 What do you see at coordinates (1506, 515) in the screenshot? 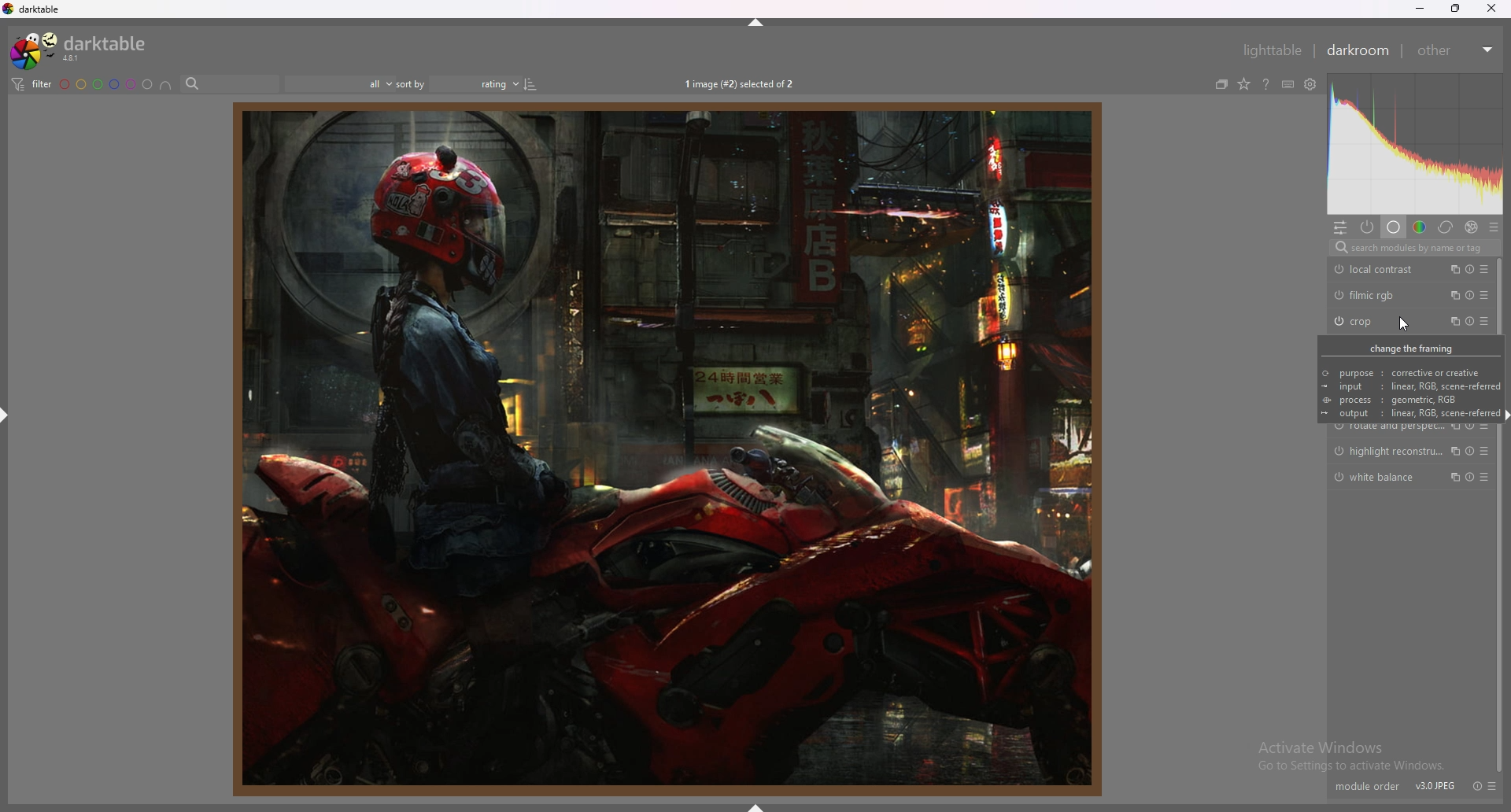
I see `scroll bar` at bounding box center [1506, 515].